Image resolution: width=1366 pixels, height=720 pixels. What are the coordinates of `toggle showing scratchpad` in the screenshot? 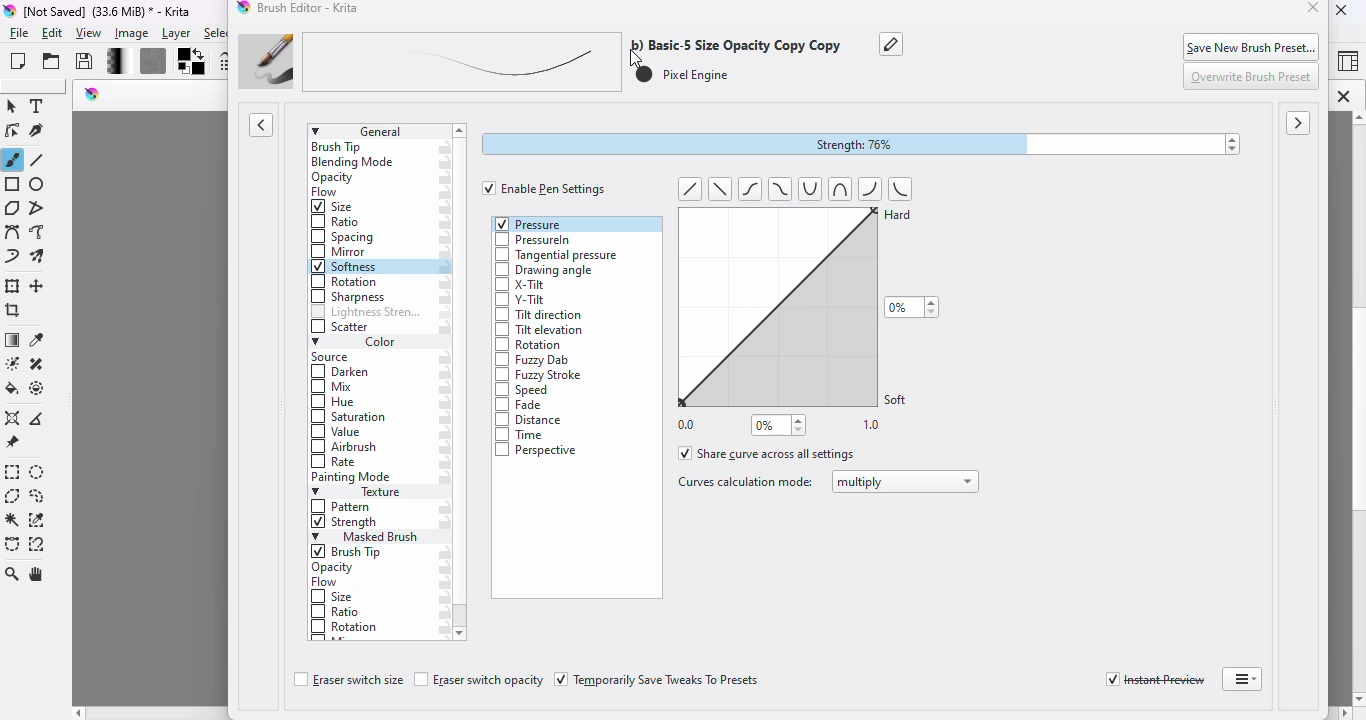 It's located at (1299, 124).